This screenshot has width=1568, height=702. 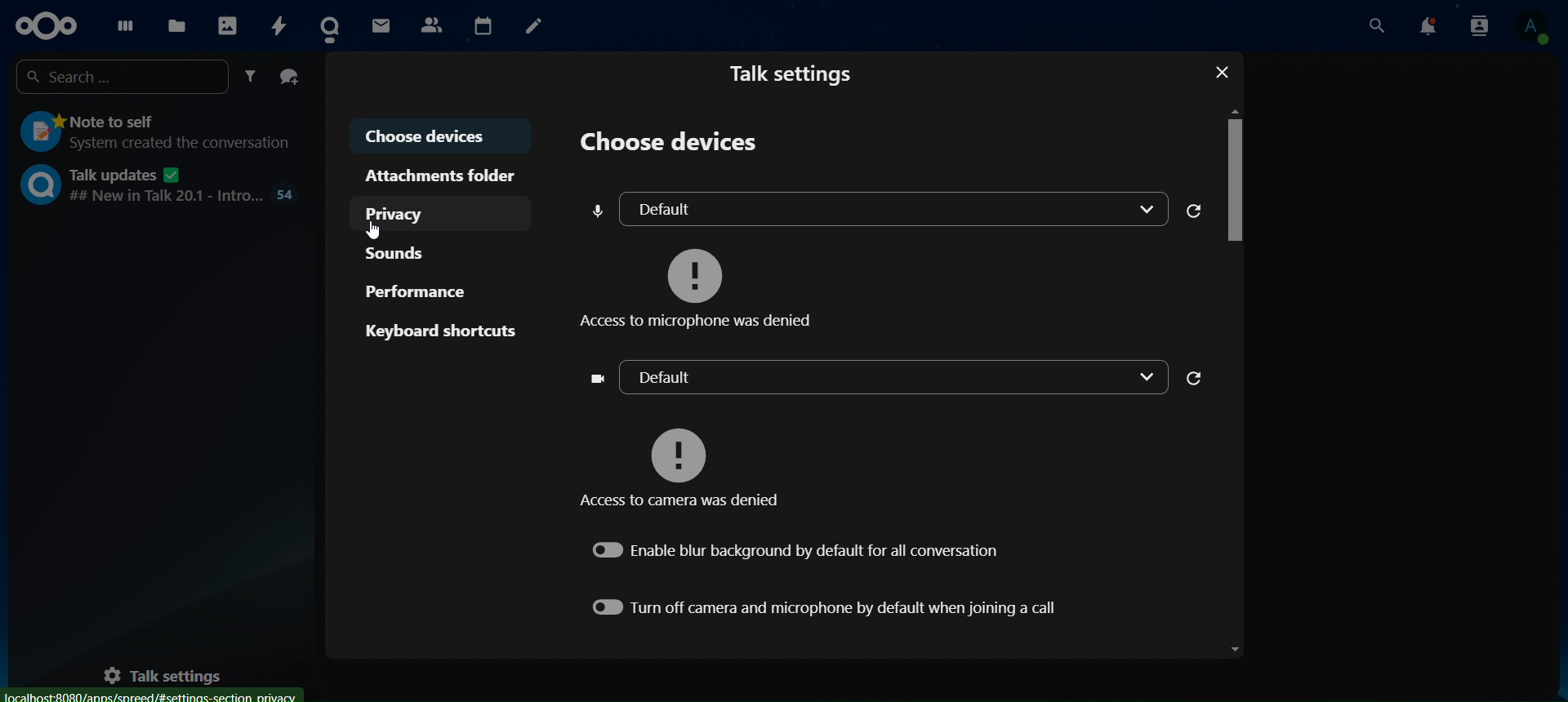 What do you see at coordinates (44, 25) in the screenshot?
I see `icon` at bounding box center [44, 25].